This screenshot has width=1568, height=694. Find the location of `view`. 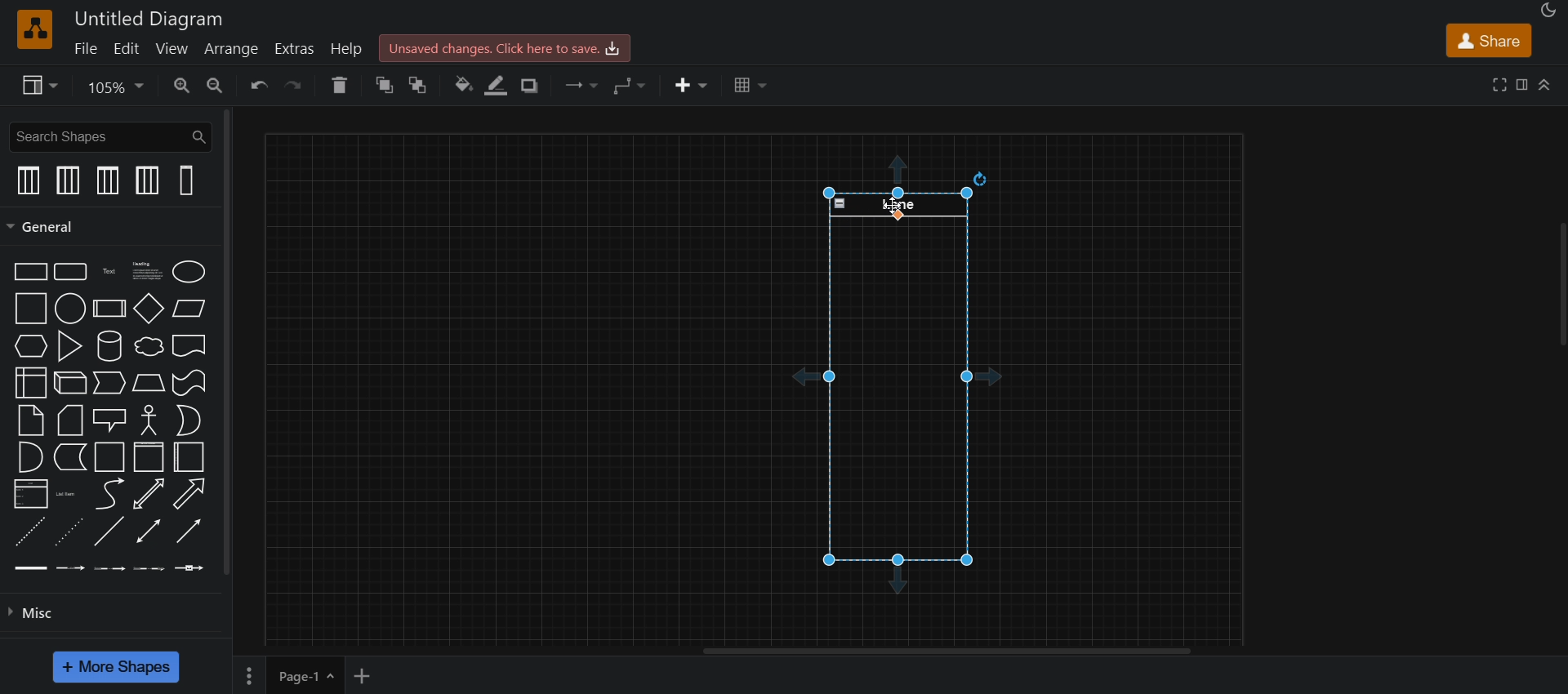

view is located at coordinates (41, 87).